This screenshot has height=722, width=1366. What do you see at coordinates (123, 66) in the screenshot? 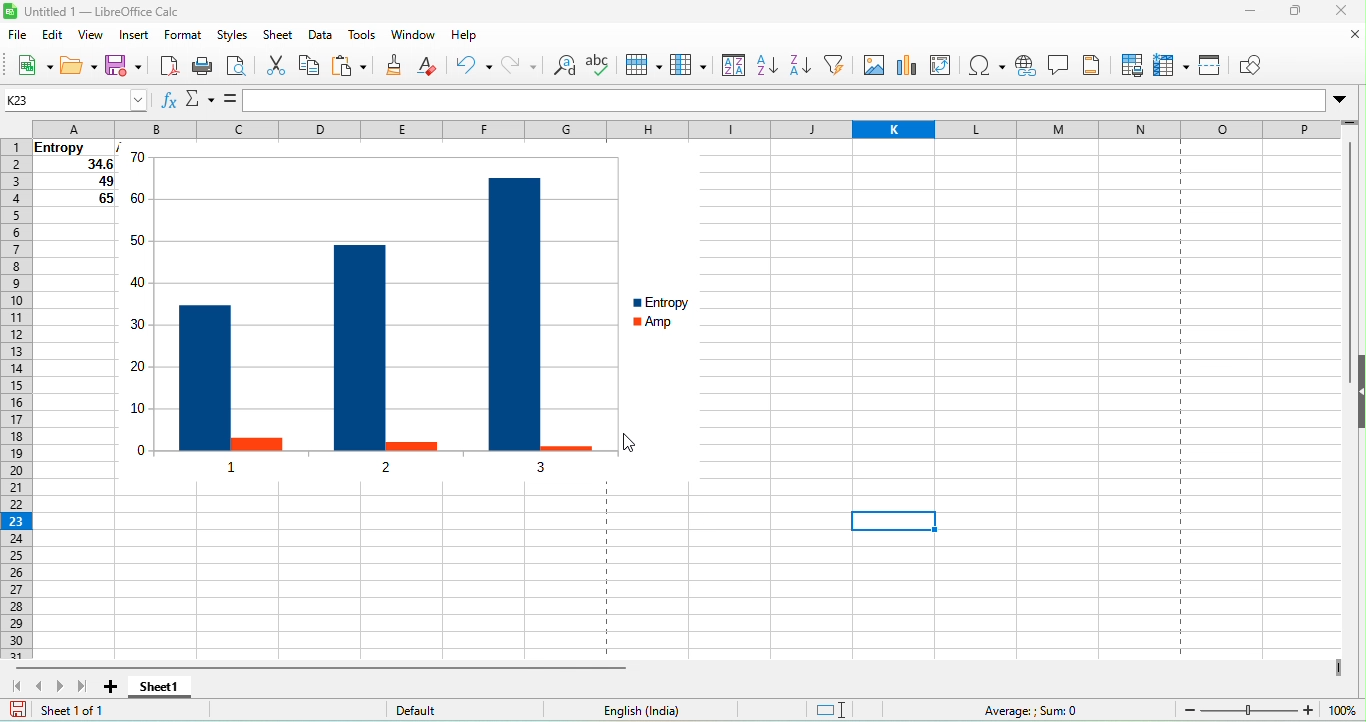
I see `save` at bounding box center [123, 66].